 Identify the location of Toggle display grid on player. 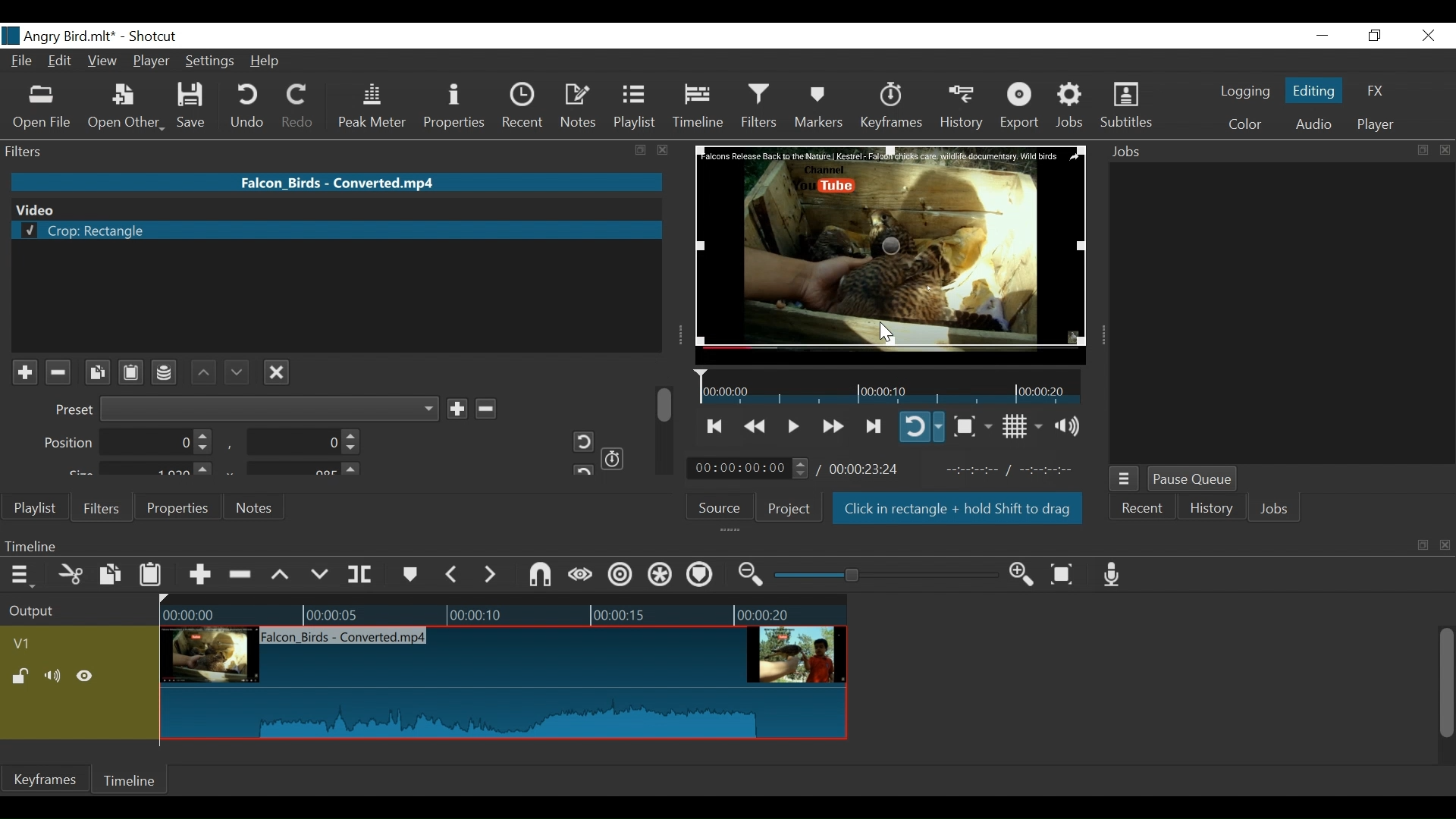
(1025, 426).